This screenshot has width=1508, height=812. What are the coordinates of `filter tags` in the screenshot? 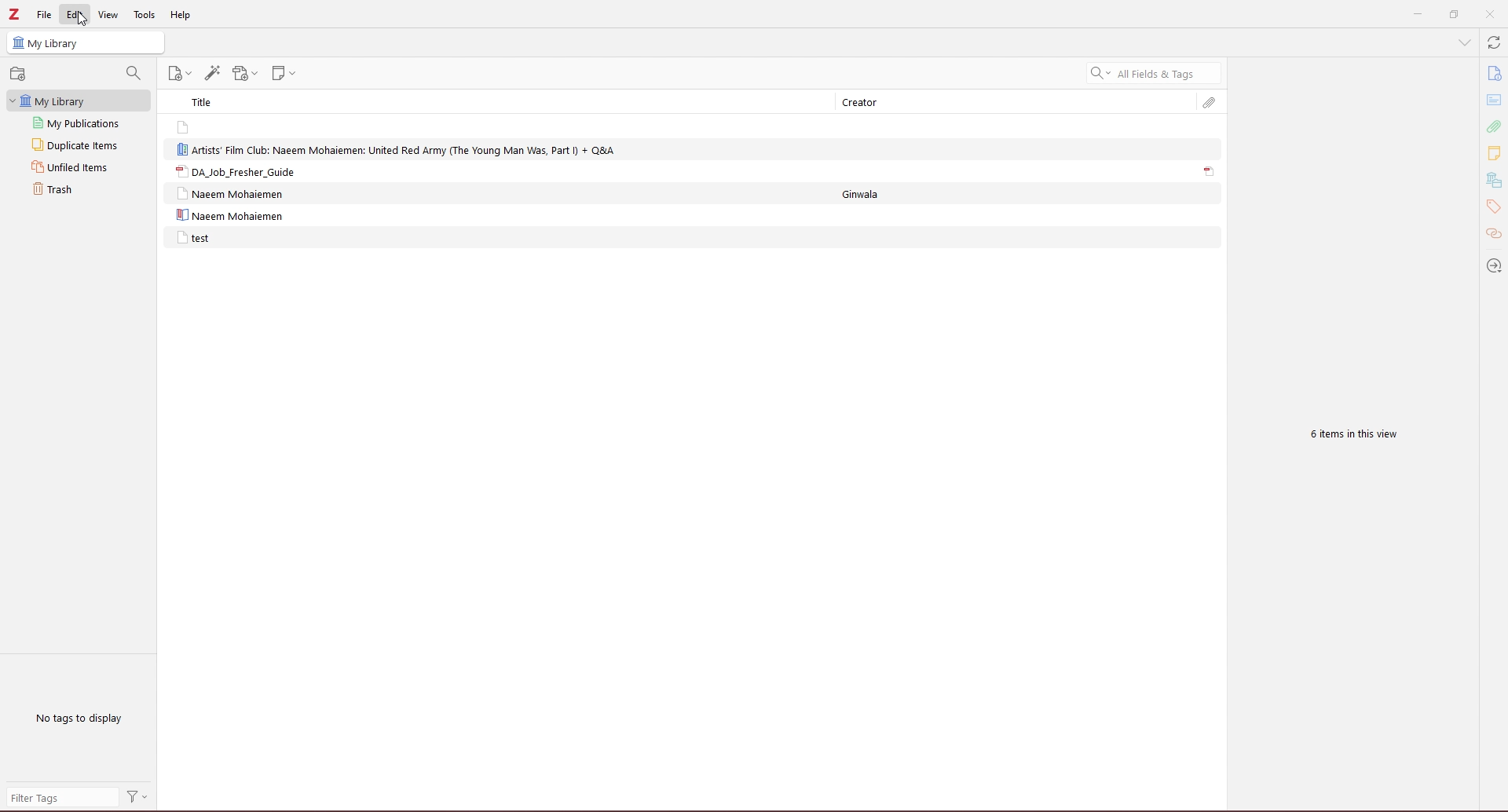 It's located at (61, 797).